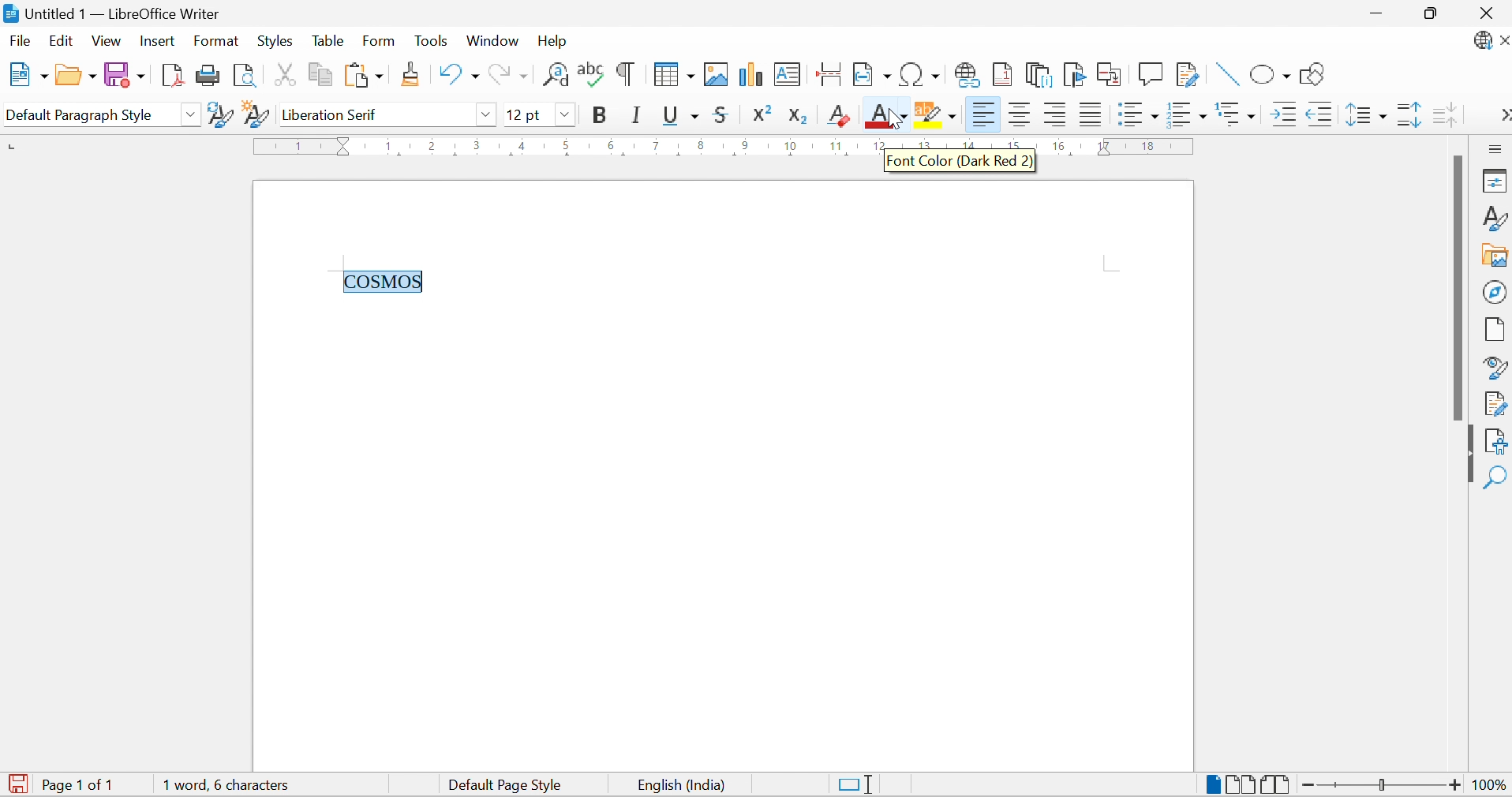 The image size is (1512, 797). What do you see at coordinates (1277, 784) in the screenshot?
I see `Book View` at bounding box center [1277, 784].